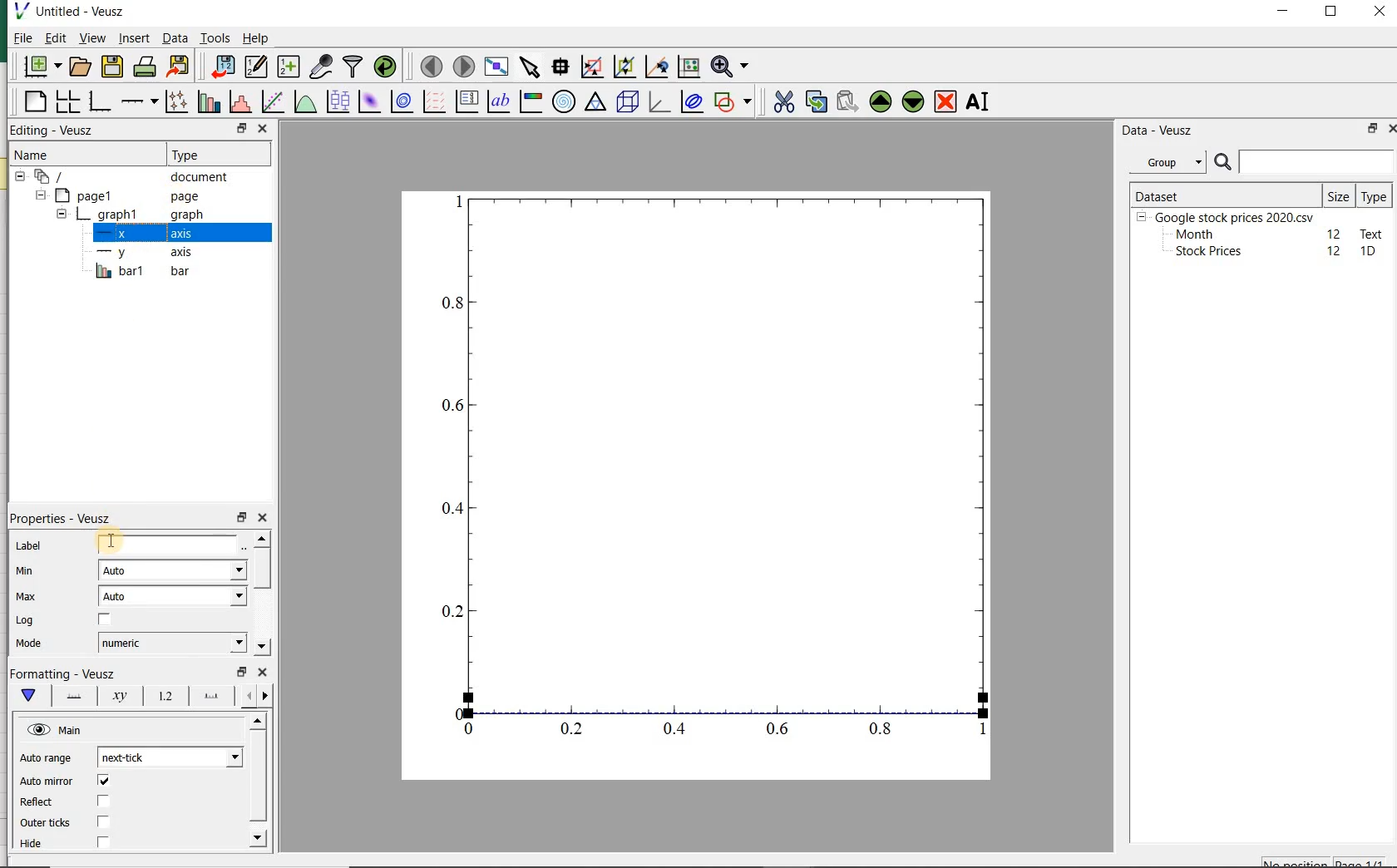  I want to click on Tools, so click(215, 38).